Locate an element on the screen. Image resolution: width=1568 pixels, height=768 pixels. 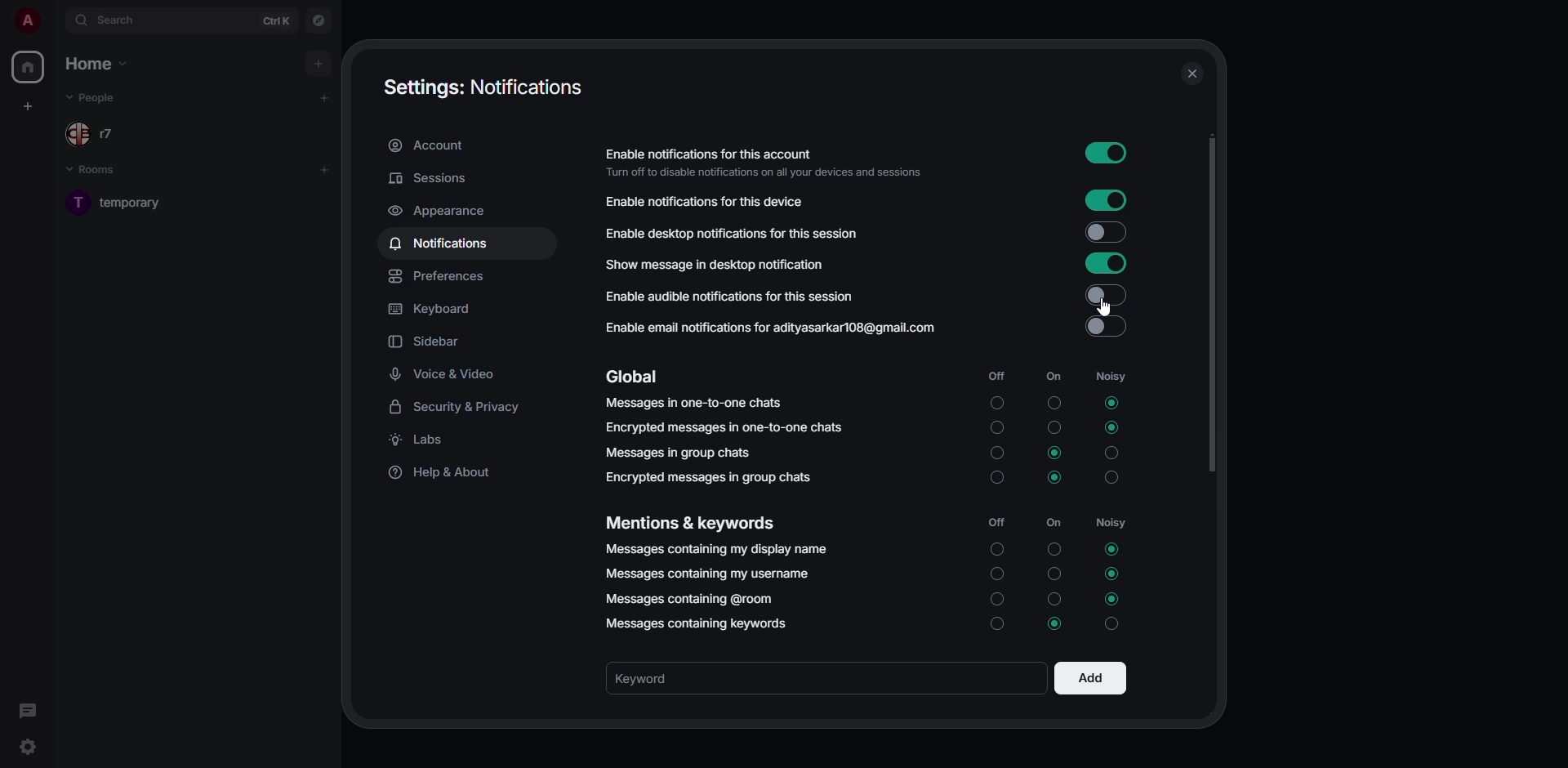
profile is located at coordinates (27, 20).